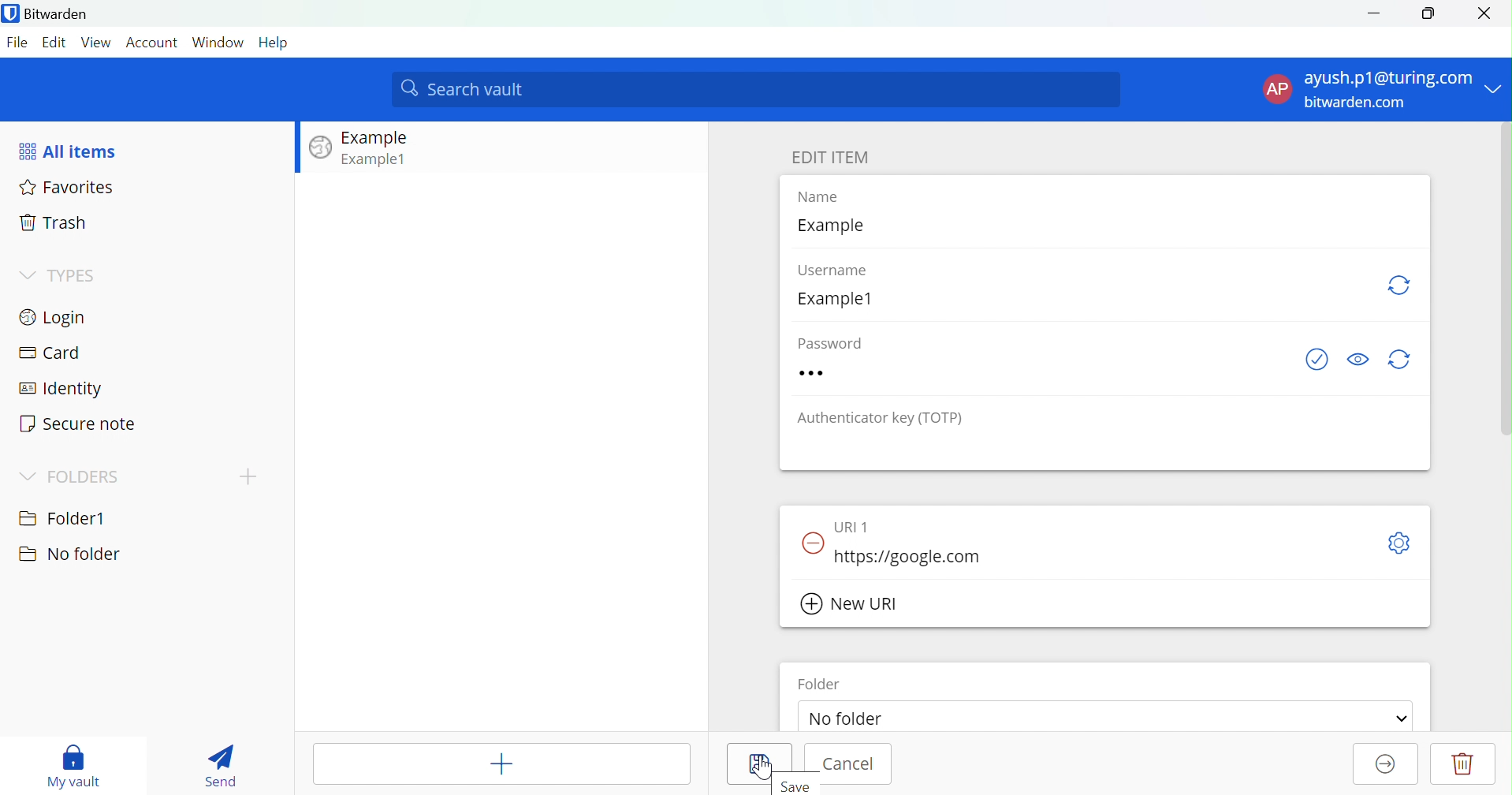 This screenshot has width=1512, height=795. What do you see at coordinates (1373, 12) in the screenshot?
I see `Minimize` at bounding box center [1373, 12].